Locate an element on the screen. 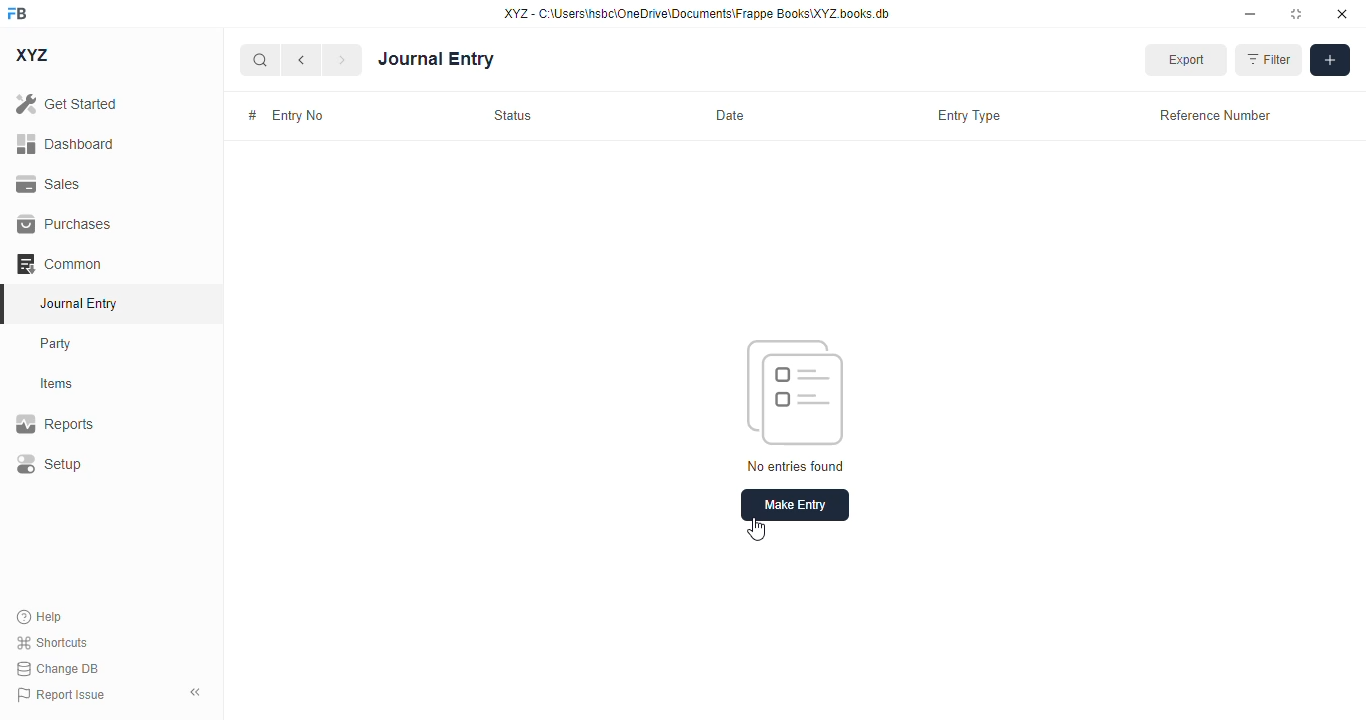 The image size is (1366, 720). help is located at coordinates (40, 617).